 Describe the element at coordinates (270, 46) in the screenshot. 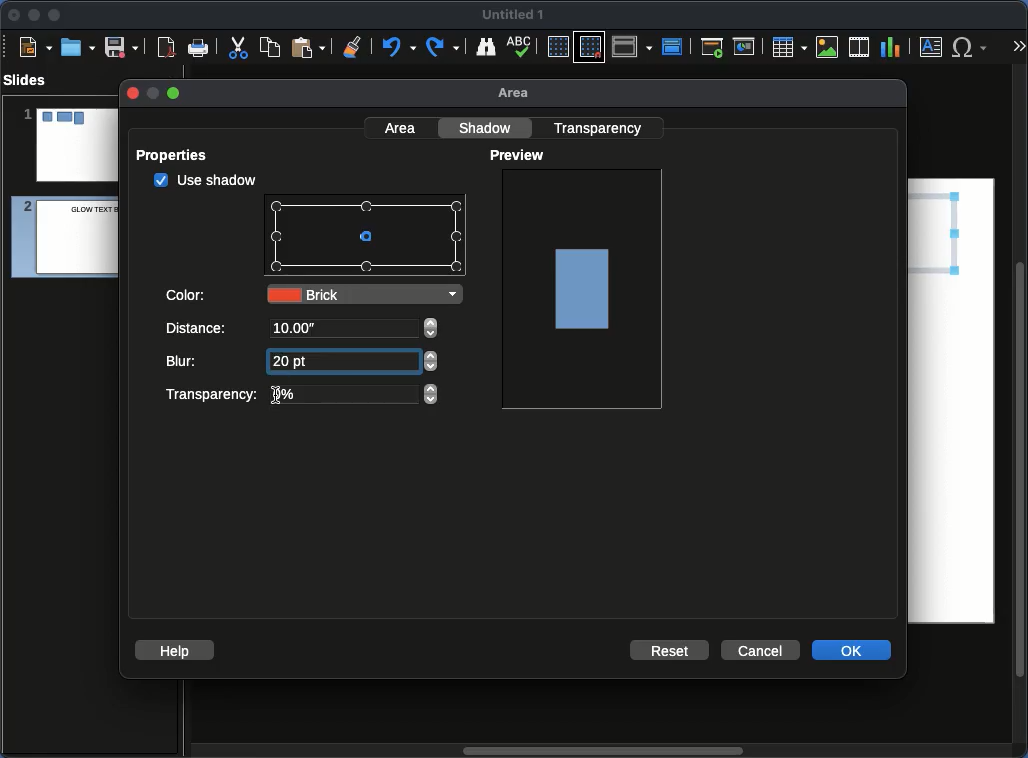

I see `Copy` at that location.